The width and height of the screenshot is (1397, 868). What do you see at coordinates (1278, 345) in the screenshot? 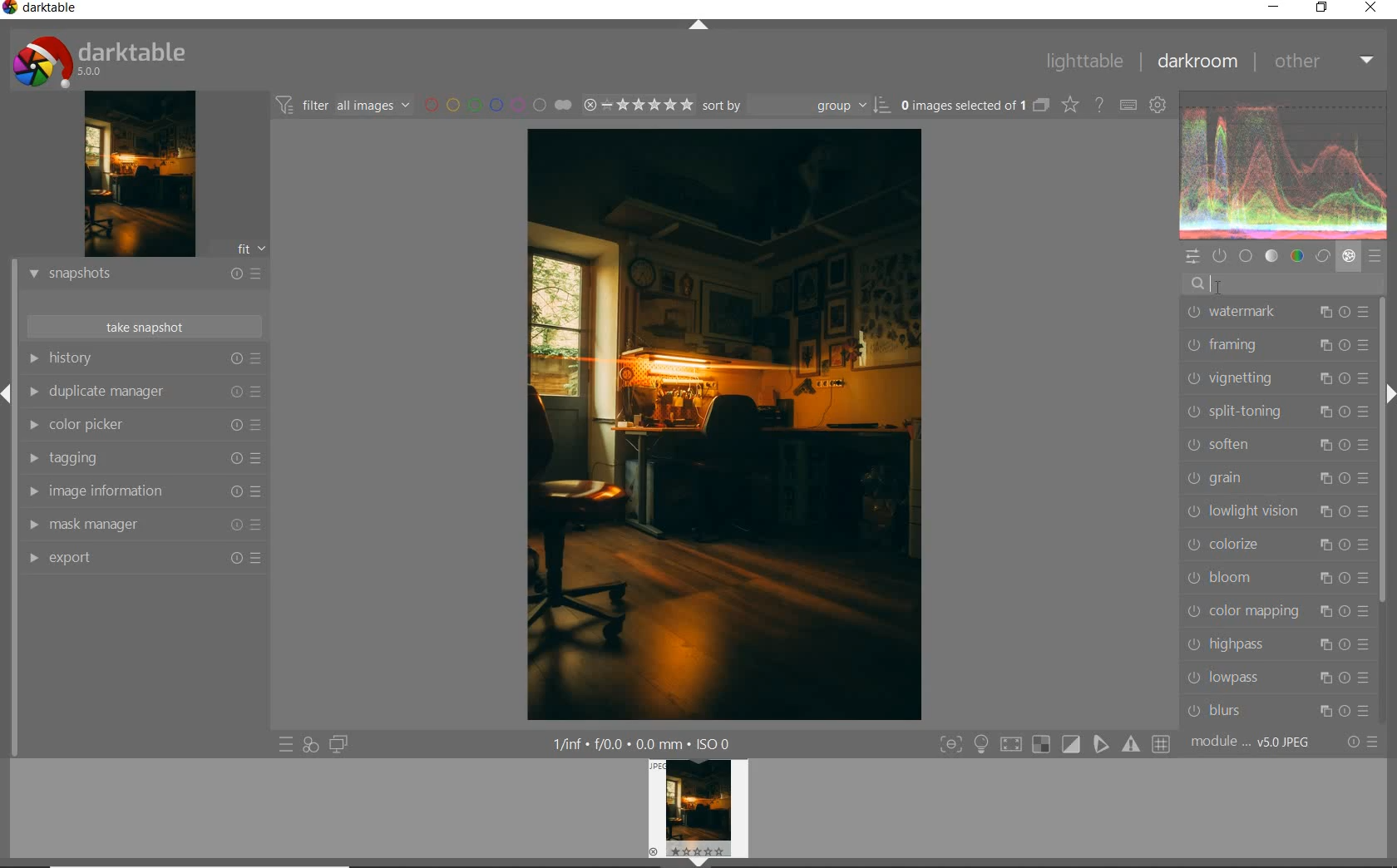
I see `framing` at bounding box center [1278, 345].